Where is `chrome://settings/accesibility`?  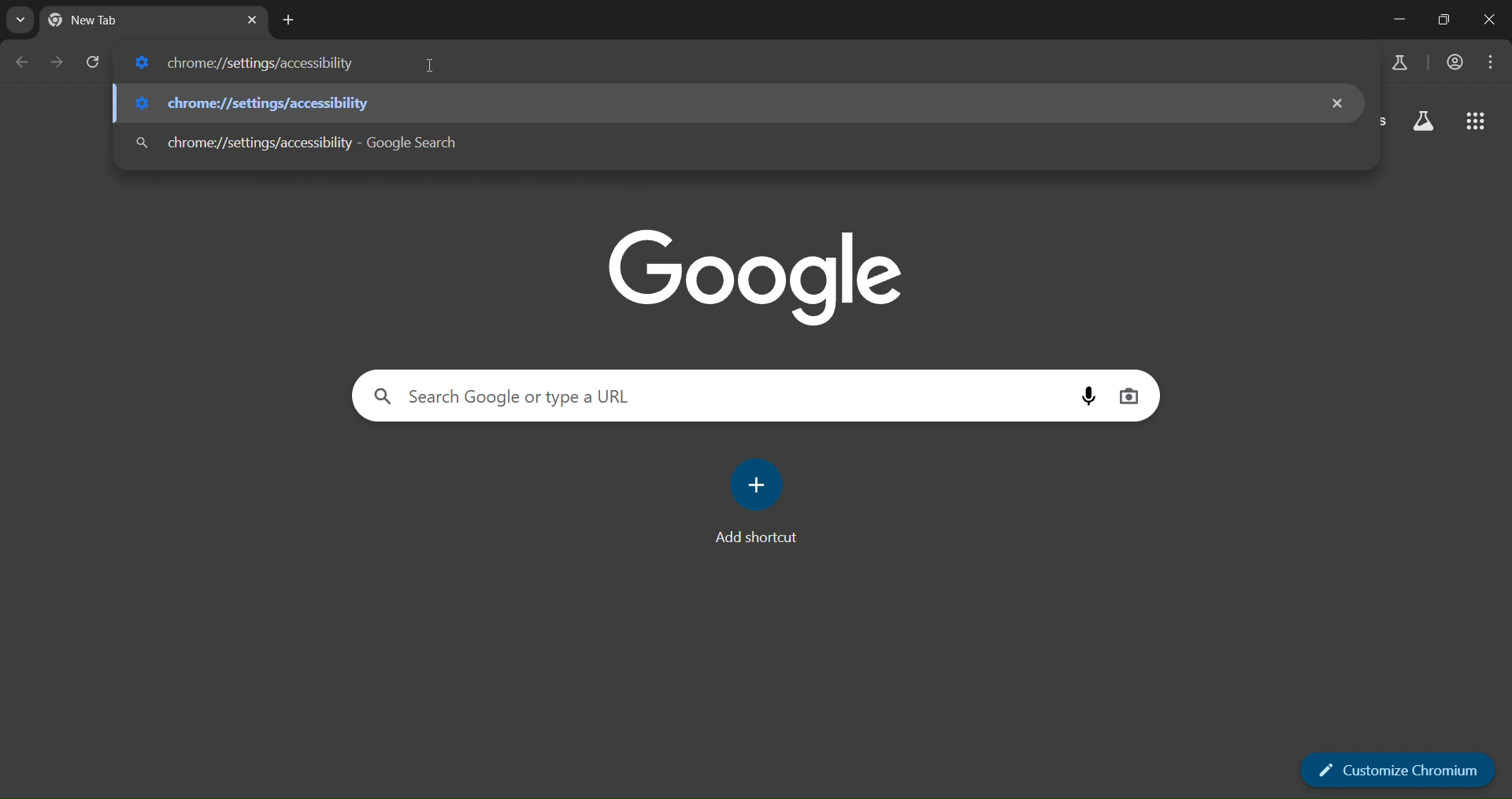 chrome://settings/accesibility is located at coordinates (259, 106).